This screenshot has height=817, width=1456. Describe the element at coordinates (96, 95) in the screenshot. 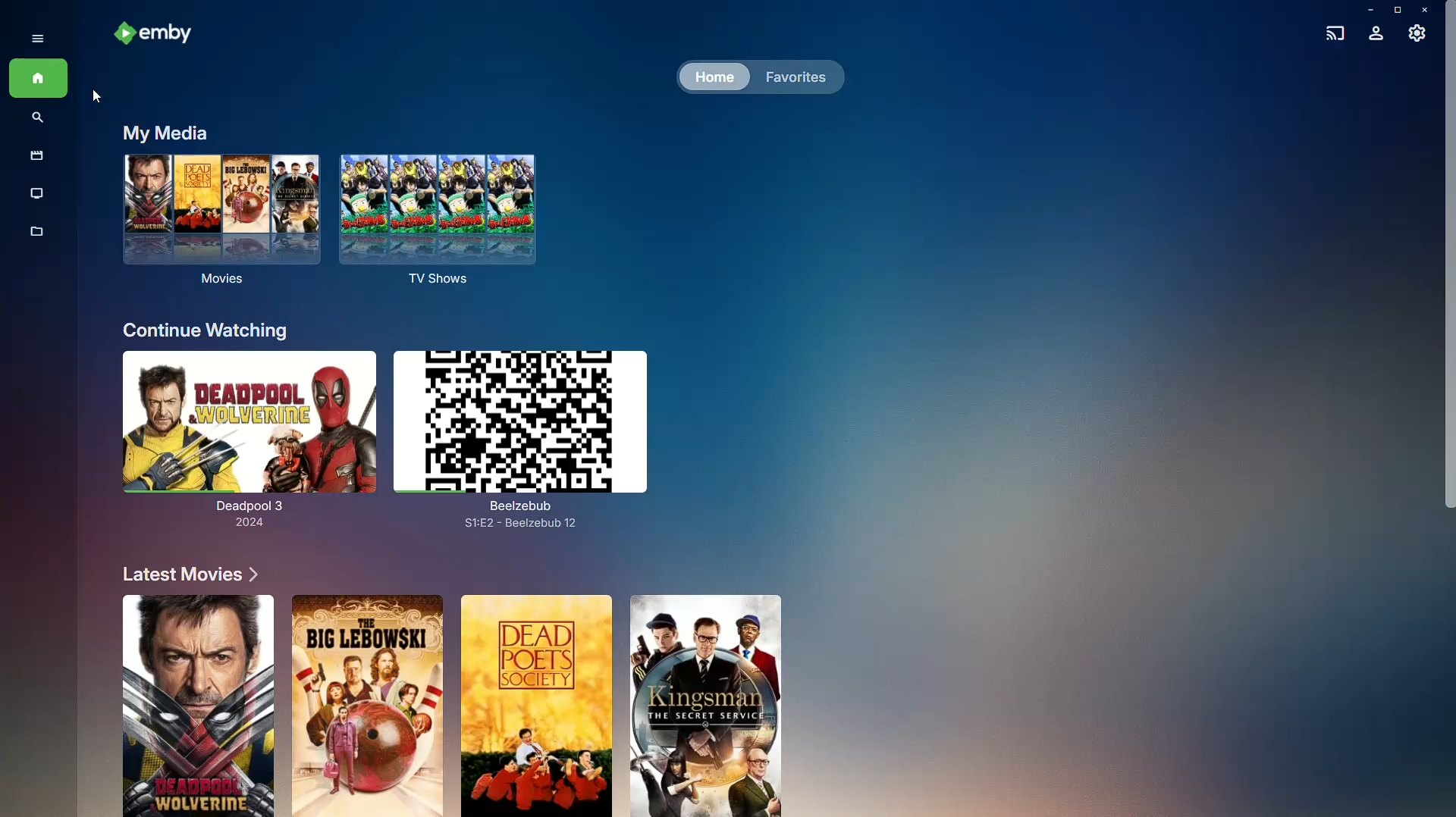

I see `Cursor` at that location.